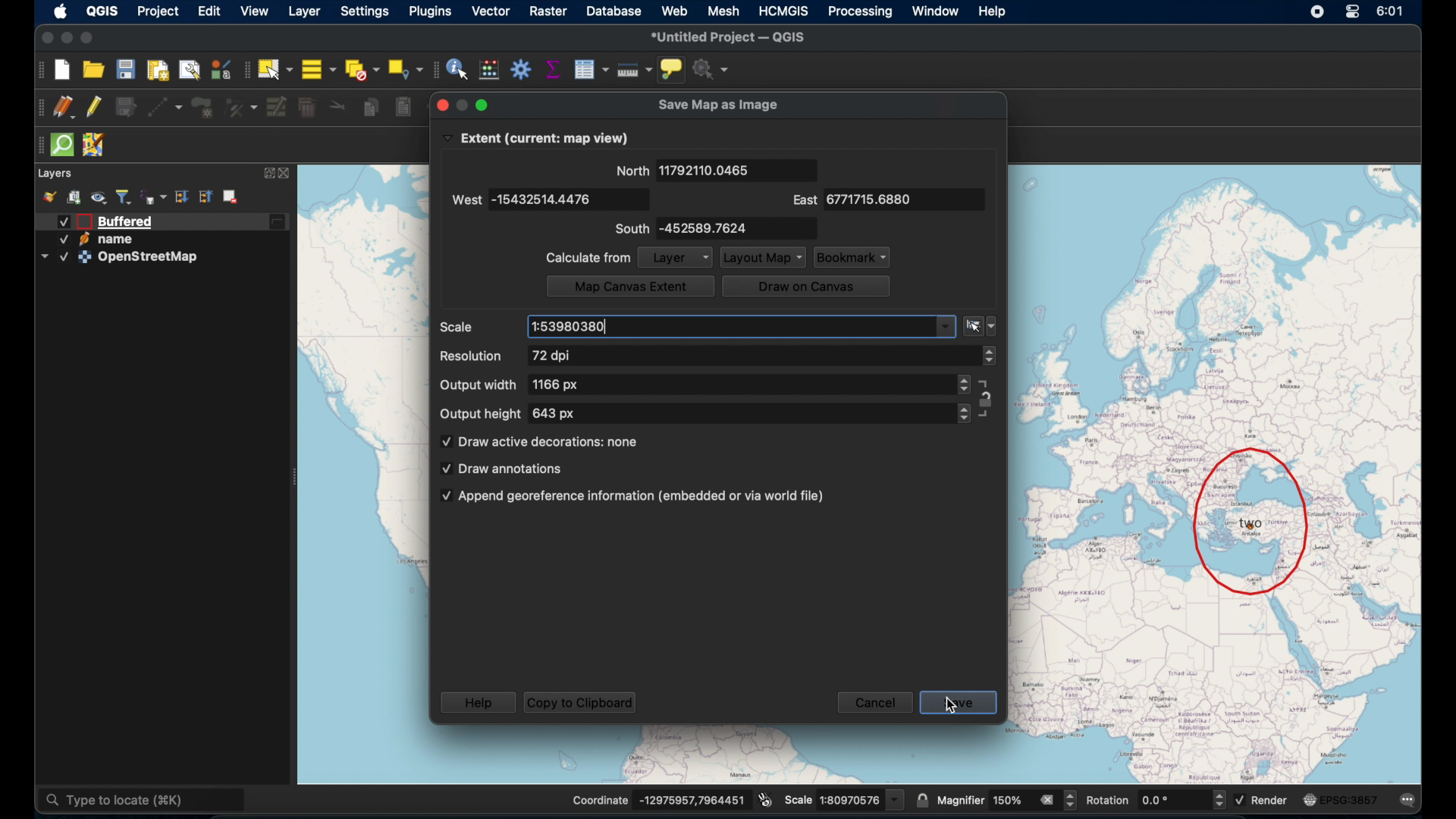  What do you see at coordinates (1310, 798) in the screenshot?
I see `icon` at bounding box center [1310, 798].